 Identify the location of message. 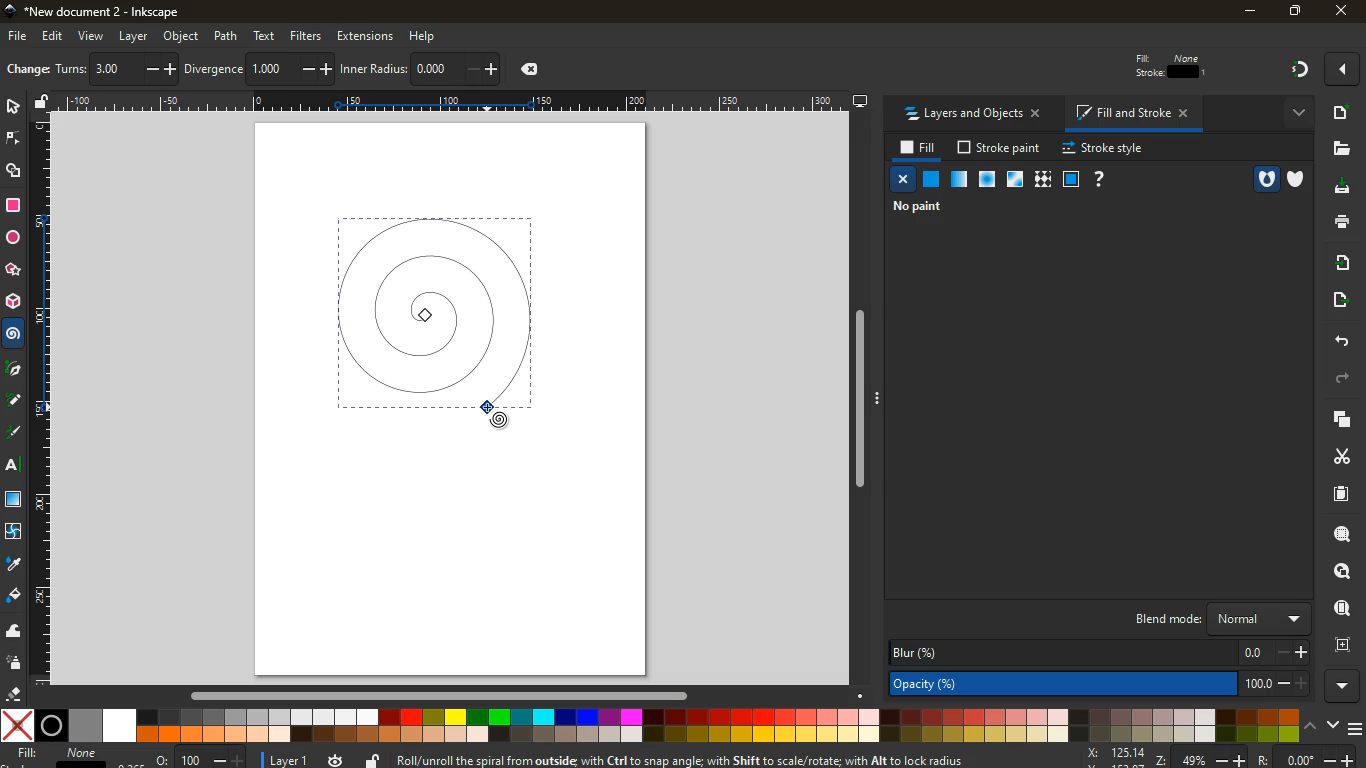
(681, 760).